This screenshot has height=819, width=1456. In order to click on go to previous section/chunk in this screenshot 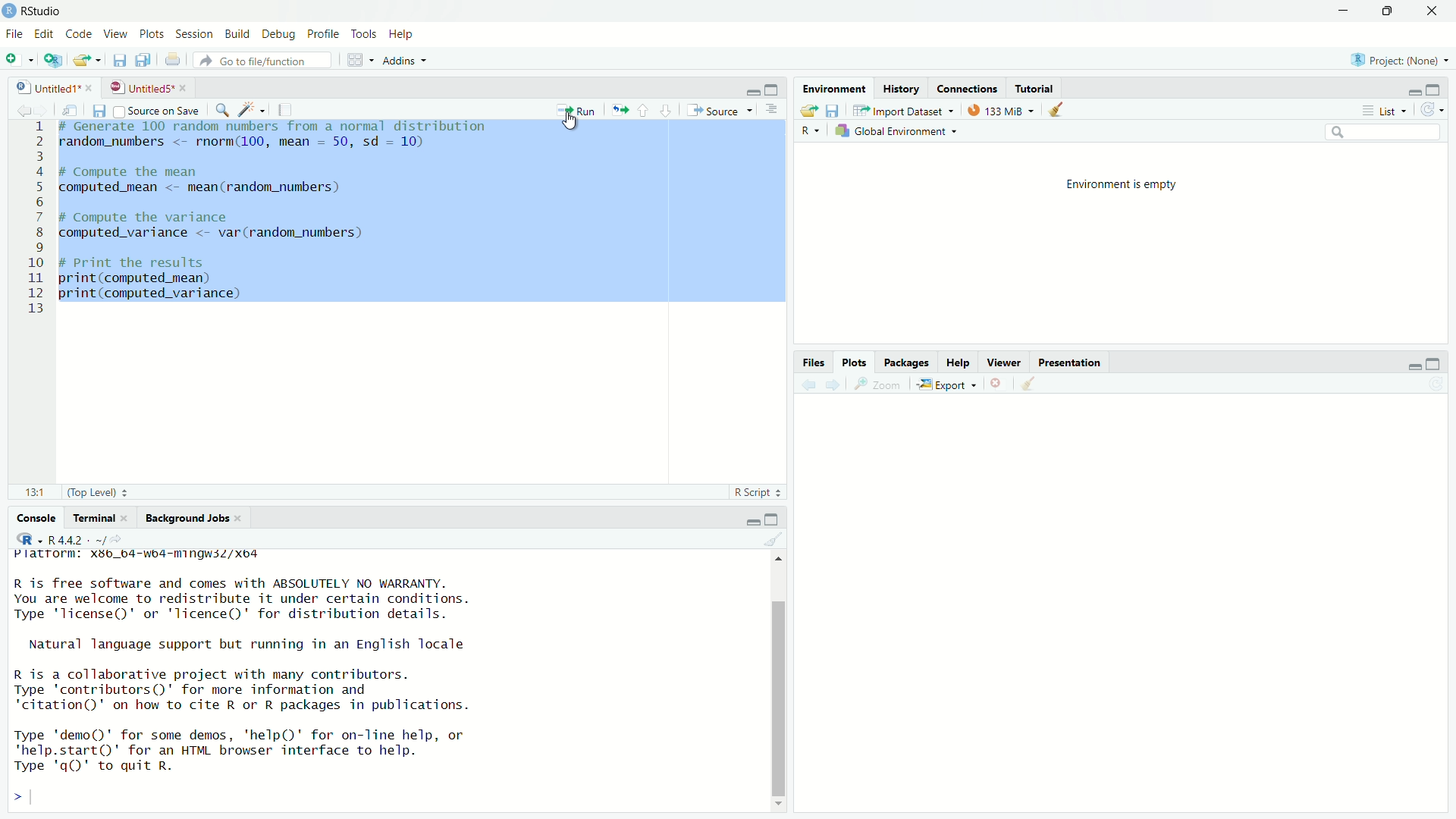, I will do `click(644, 110)`.